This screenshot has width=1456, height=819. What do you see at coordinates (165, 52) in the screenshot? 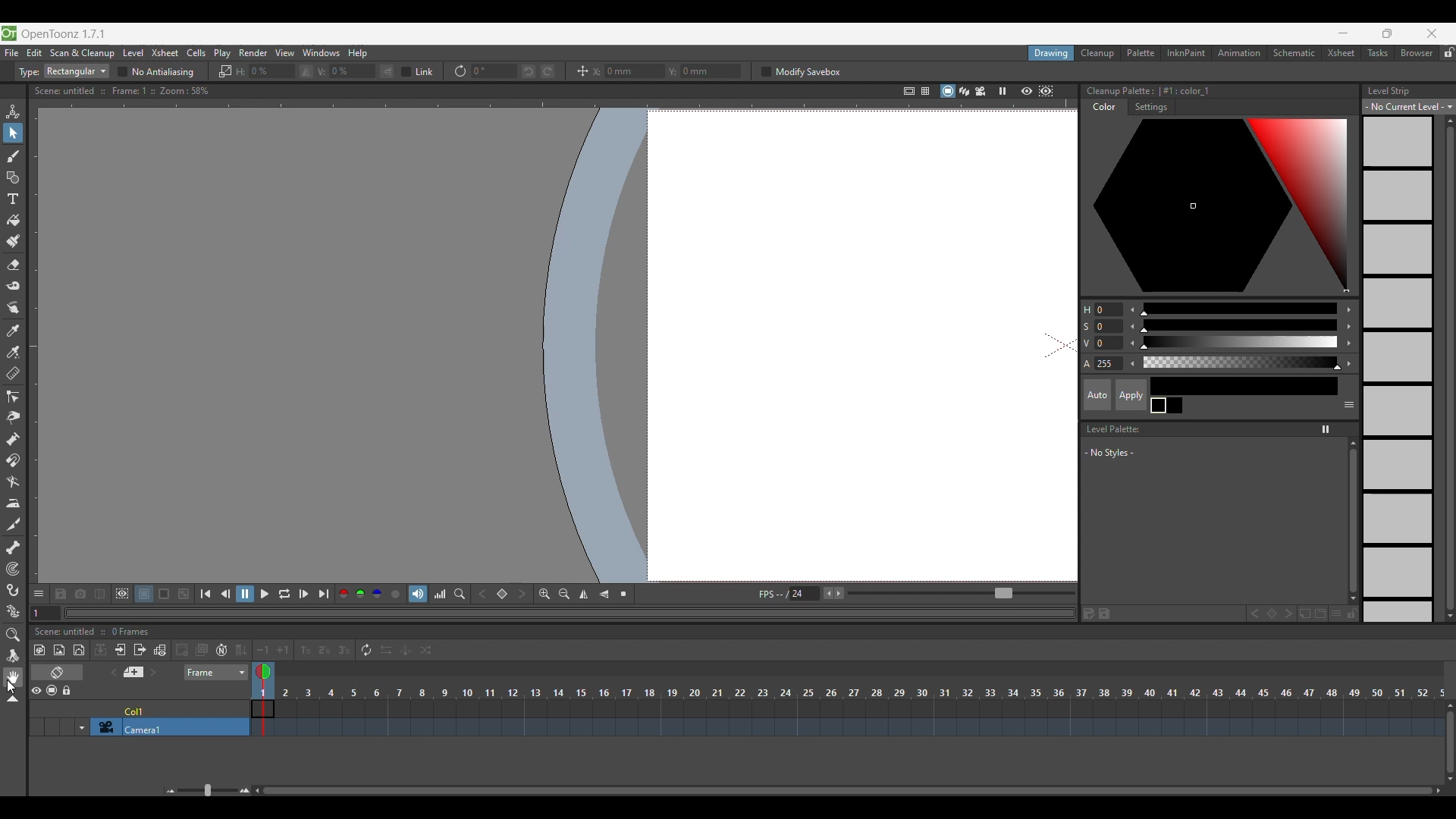
I see `Xsheet` at bounding box center [165, 52].